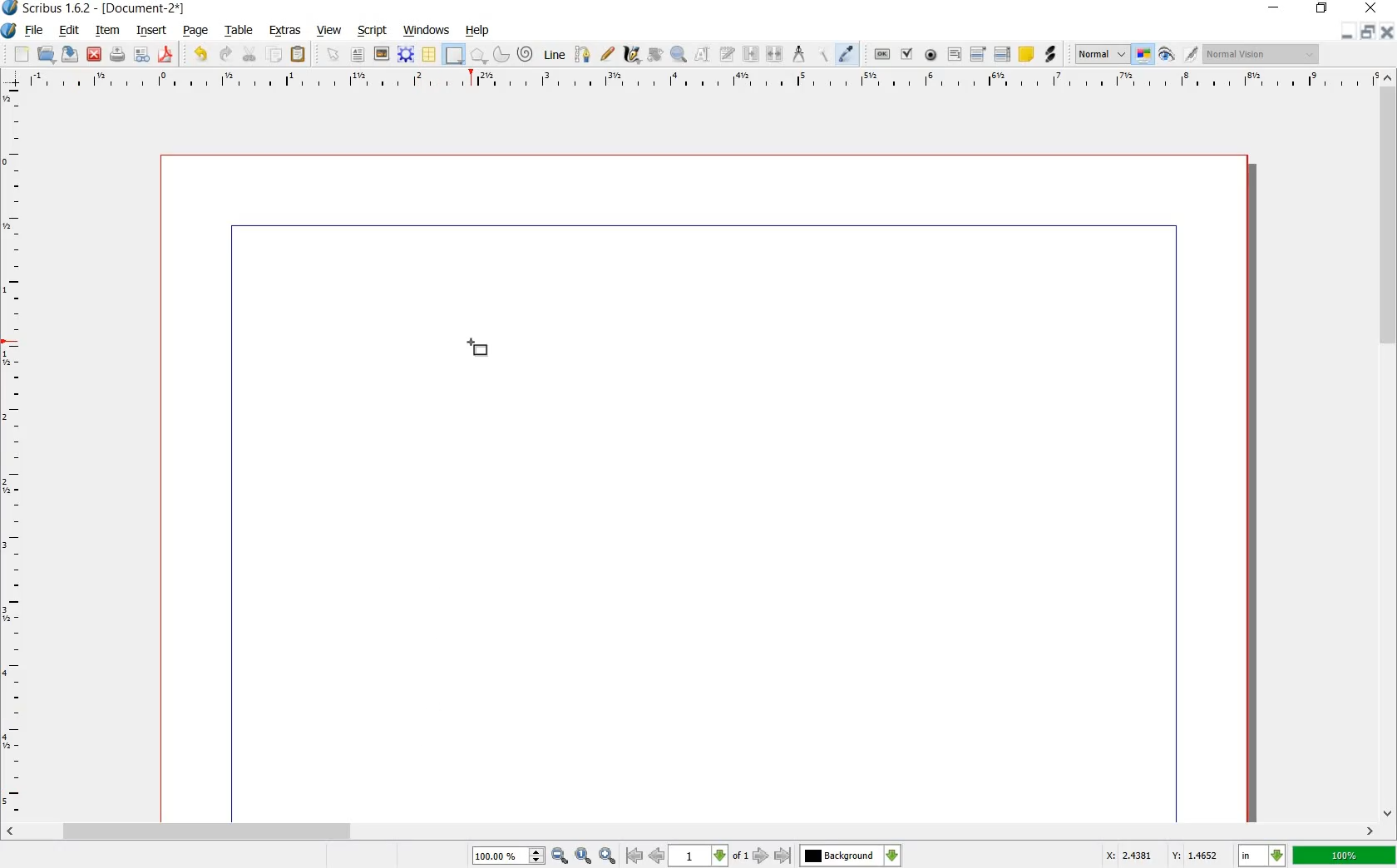 This screenshot has height=868, width=1397. What do you see at coordinates (1272, 8) in the screenshot?
I see `MINIMIZE` at bounding box center [1272, 8].